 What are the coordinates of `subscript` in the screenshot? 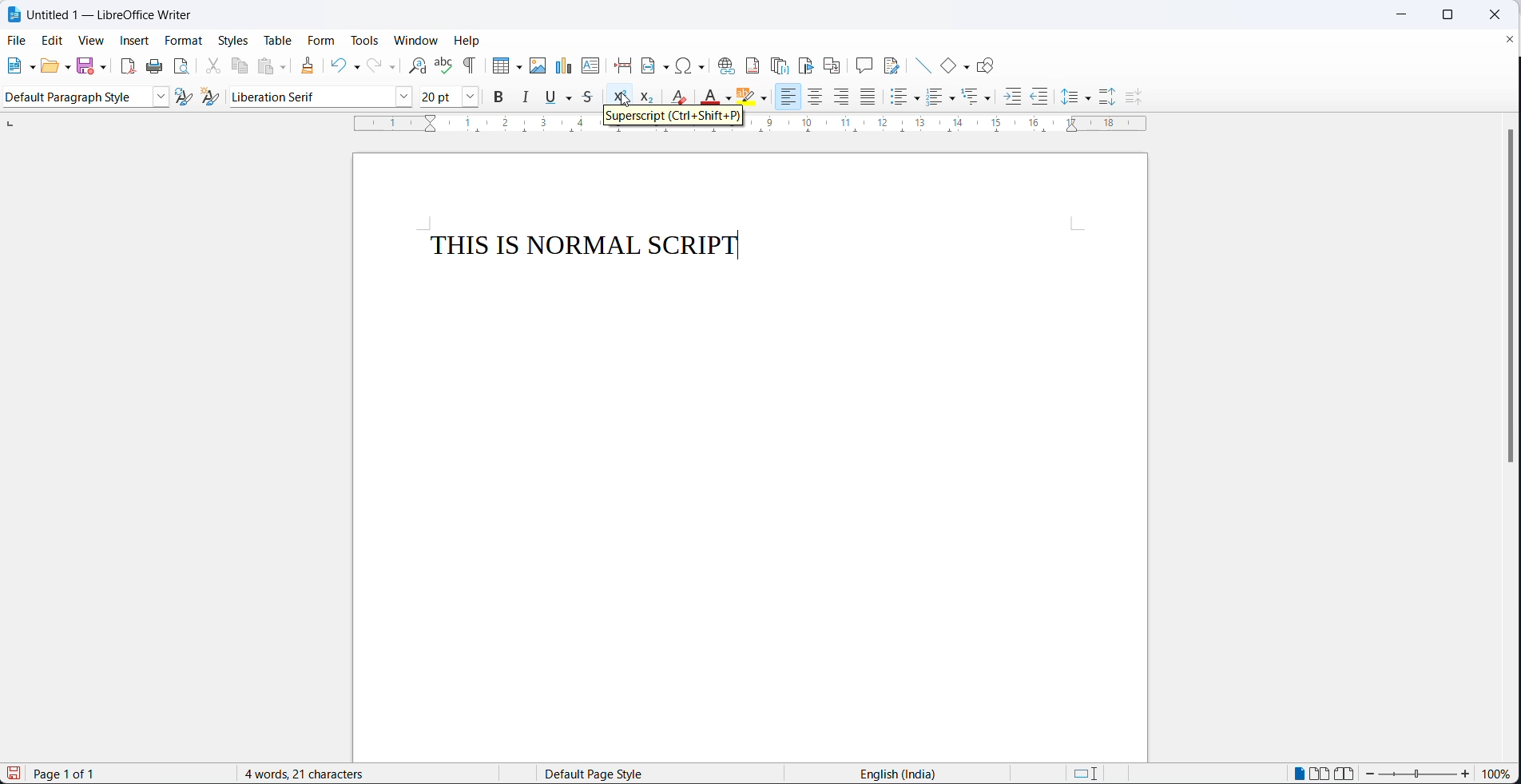 It's located at (648, 97).